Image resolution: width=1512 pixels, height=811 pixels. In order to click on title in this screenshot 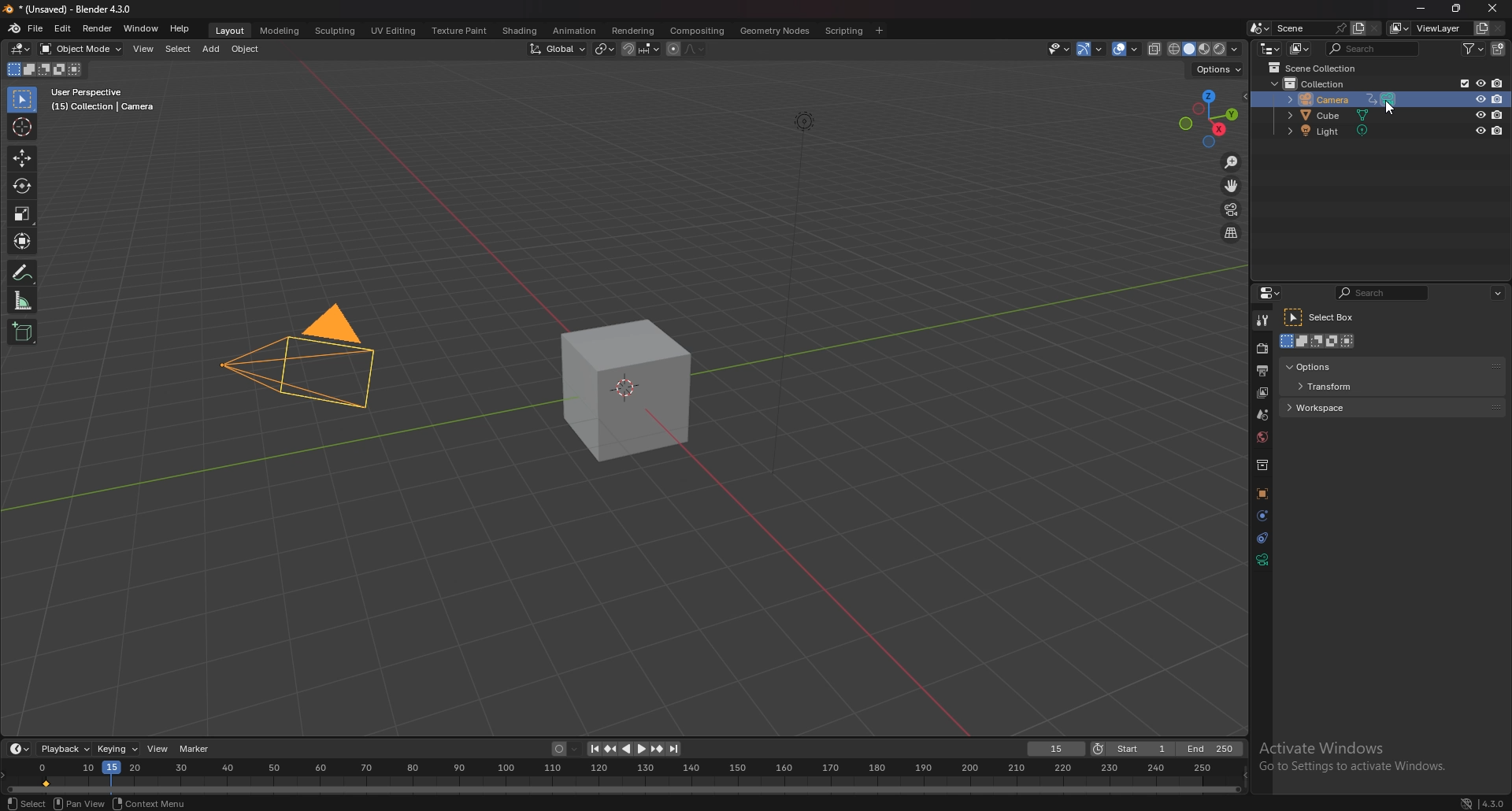, I will do `click(72, 9)`.